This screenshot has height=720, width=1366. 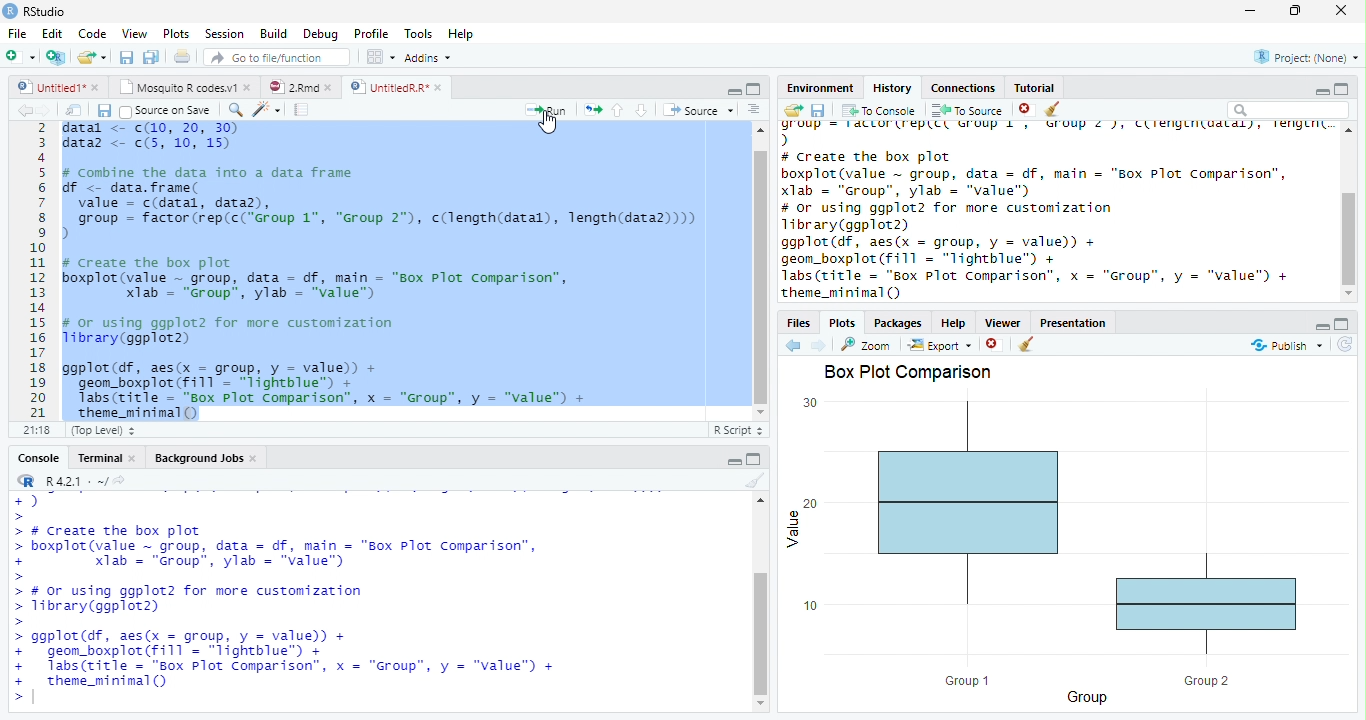 I want to click on Viewer, so click(x=1004, y=322).